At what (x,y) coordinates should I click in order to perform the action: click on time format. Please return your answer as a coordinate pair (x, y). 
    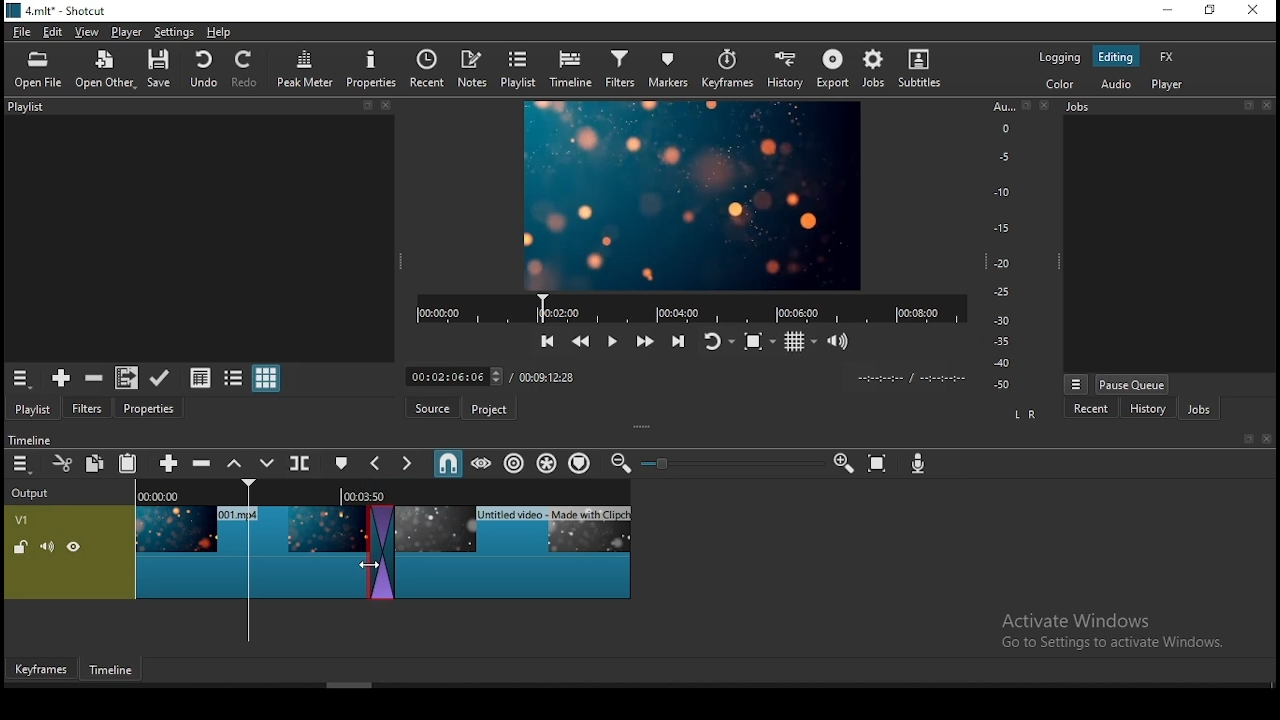
    Looking at the image, I should click on (910, 376).